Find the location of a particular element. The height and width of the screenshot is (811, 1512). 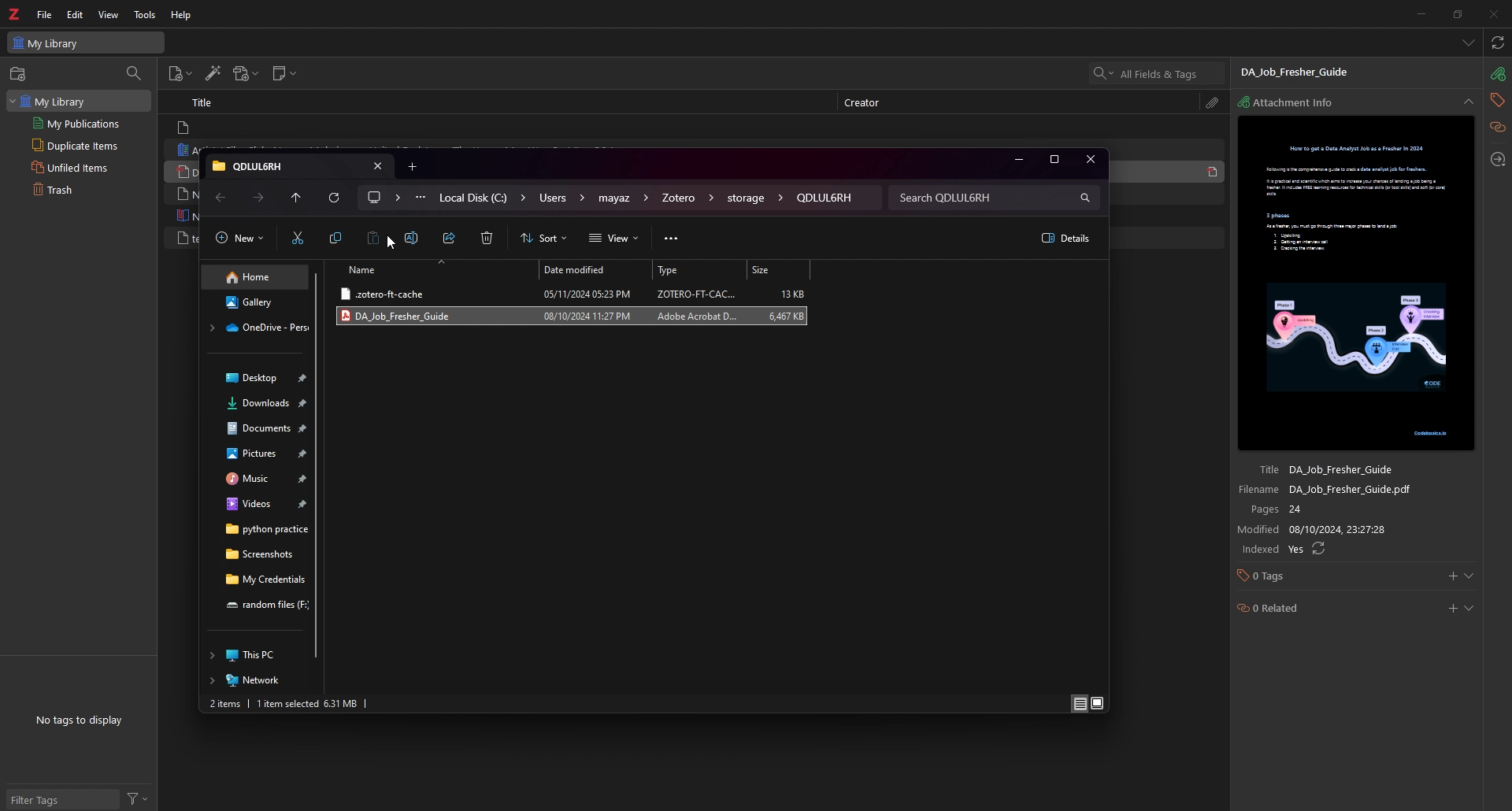

minimize is located at coordinates (1017, 160).